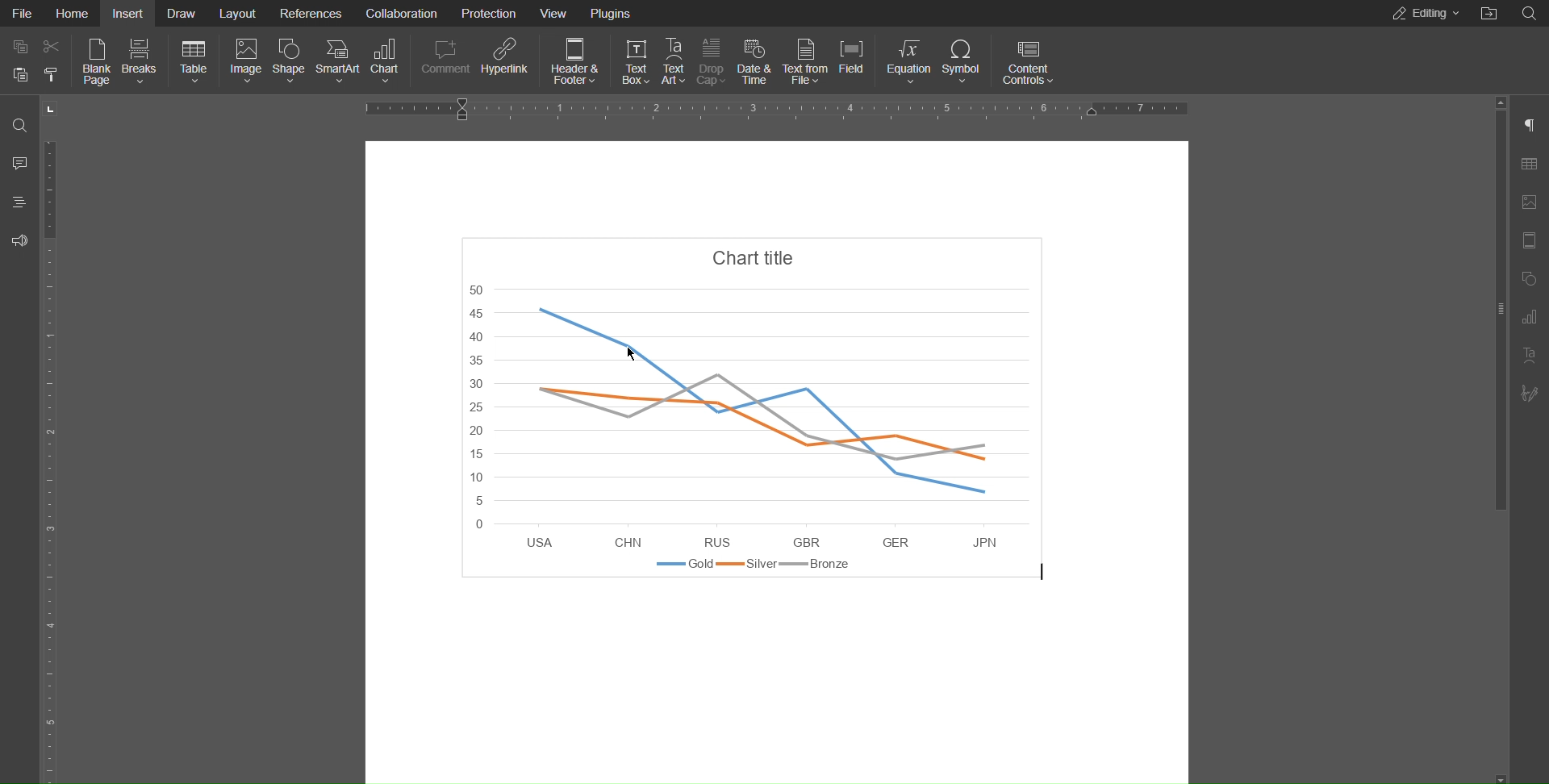  What do you see at coordinates (806, 60) in the screenshot?
I see `Text from File` at bounding box center [806, 60].